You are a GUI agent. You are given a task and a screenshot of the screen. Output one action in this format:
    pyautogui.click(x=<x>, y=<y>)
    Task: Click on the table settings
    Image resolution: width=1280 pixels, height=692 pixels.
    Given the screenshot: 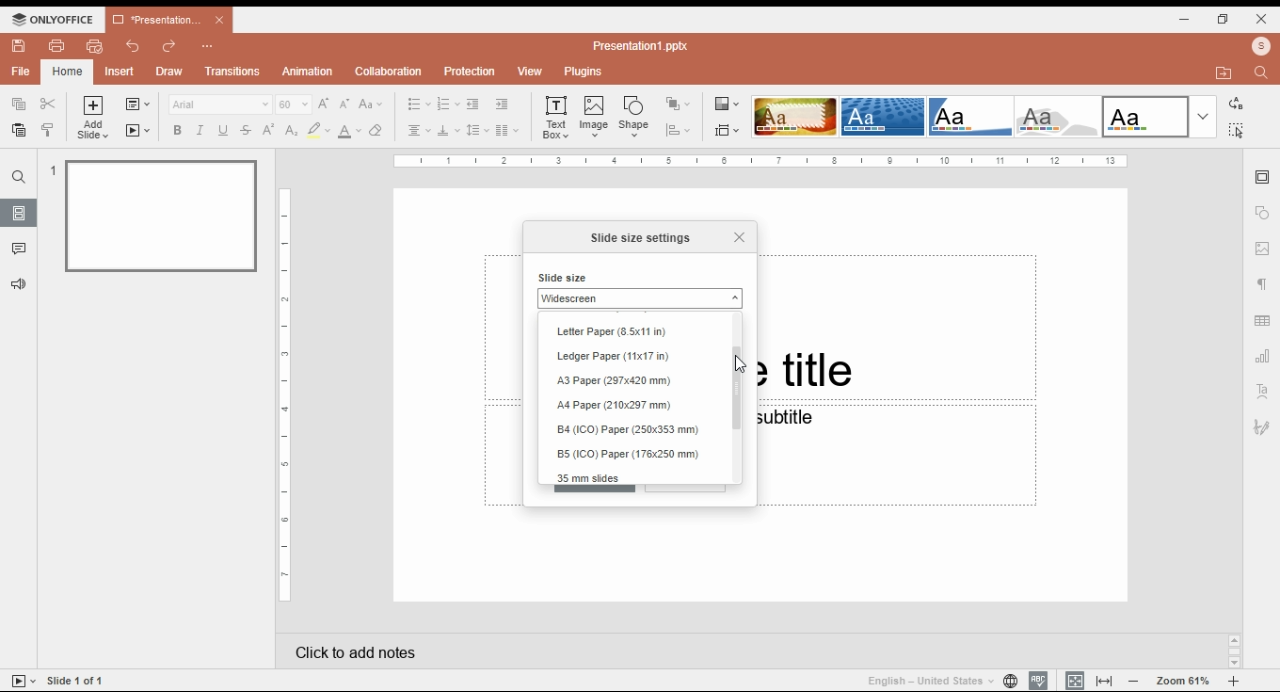 What is the action you would take?
    pyautogui.click(x=1264, y=323)
    